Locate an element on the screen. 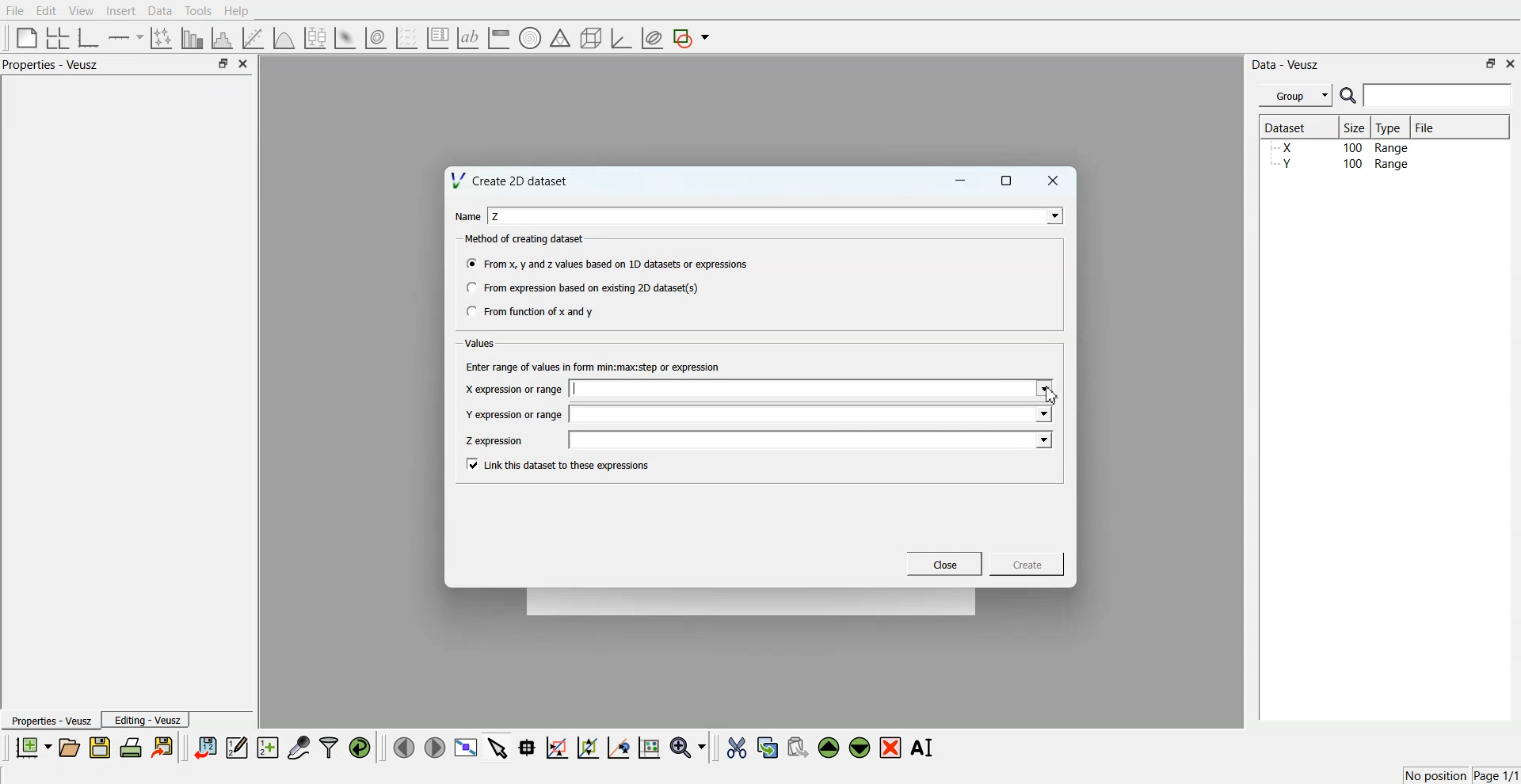  Drop down is located at coordinates (1043, 440).